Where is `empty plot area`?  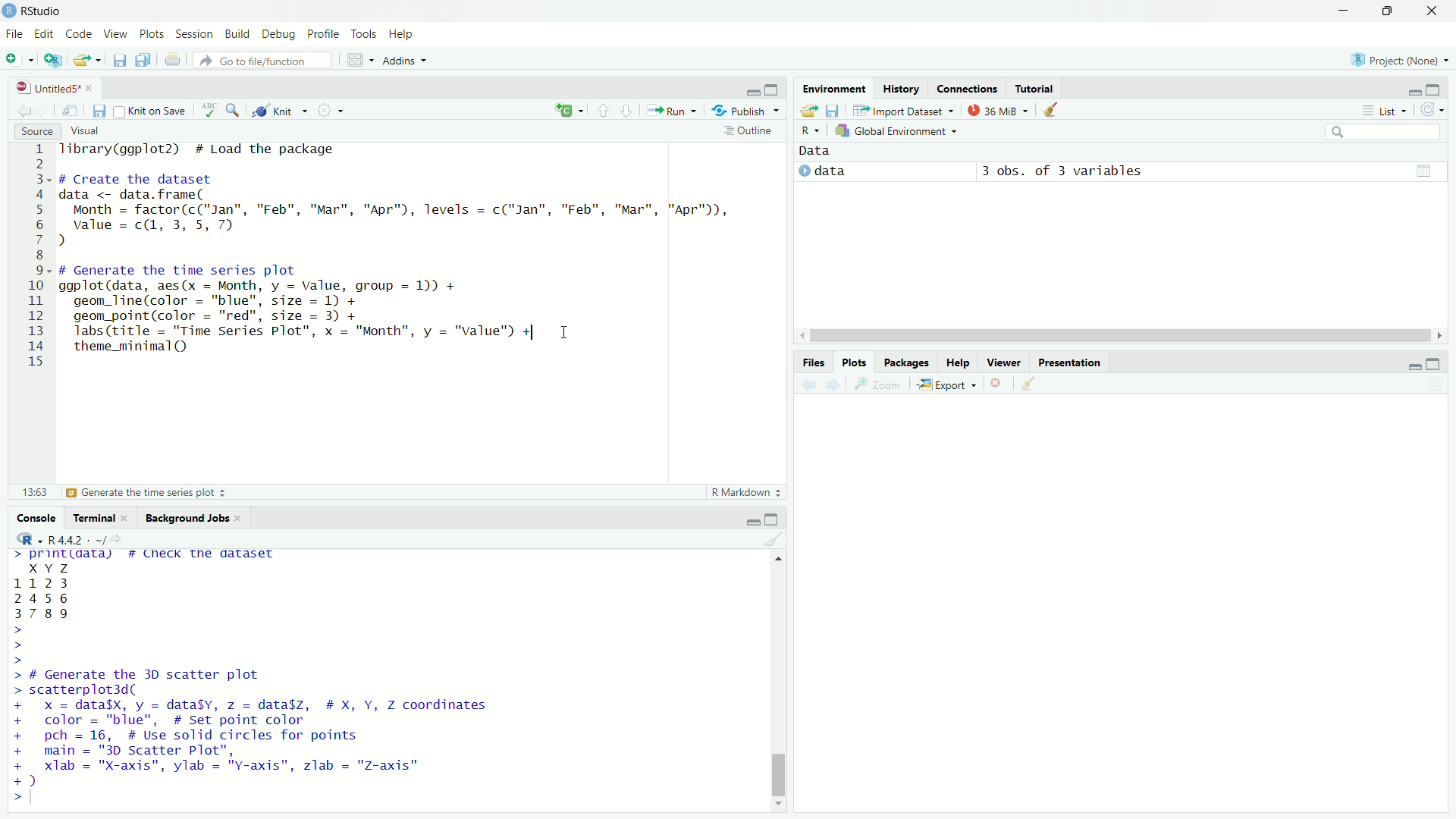 empty plot area is located at coordinates (1128, 612).